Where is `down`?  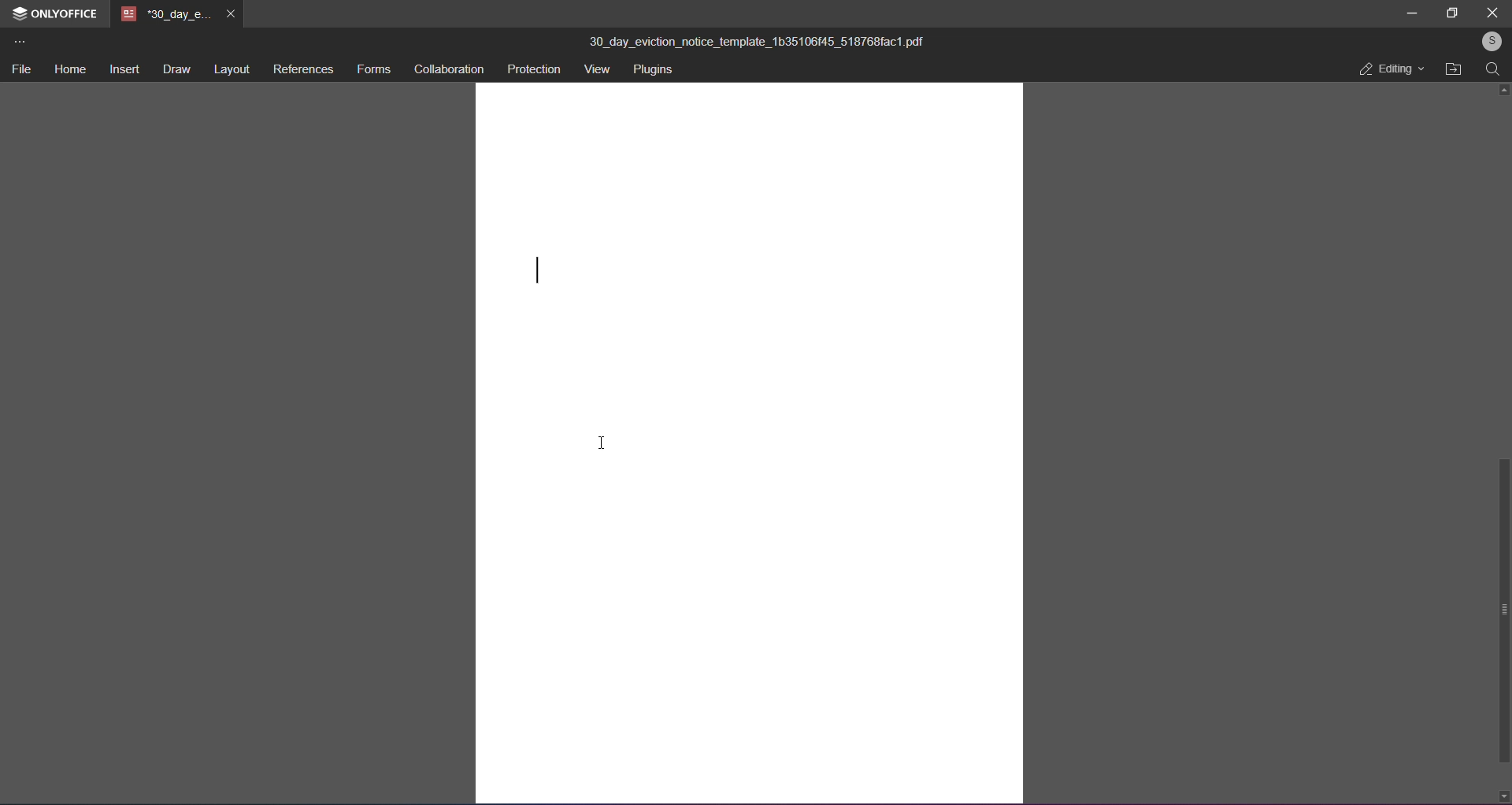
down is located at coordinates (1503, 794).